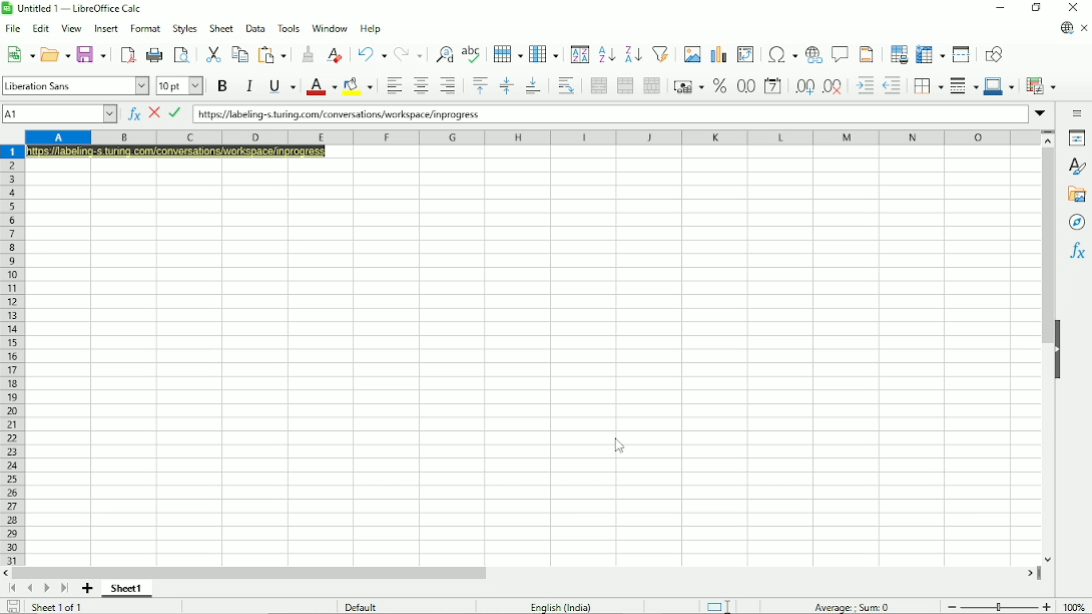 This screenshot has width=1092, height=614. What do you see at coordinates (631, 54) in the screenshot?
I see `Sort descending` at bounding box center [631, 54].